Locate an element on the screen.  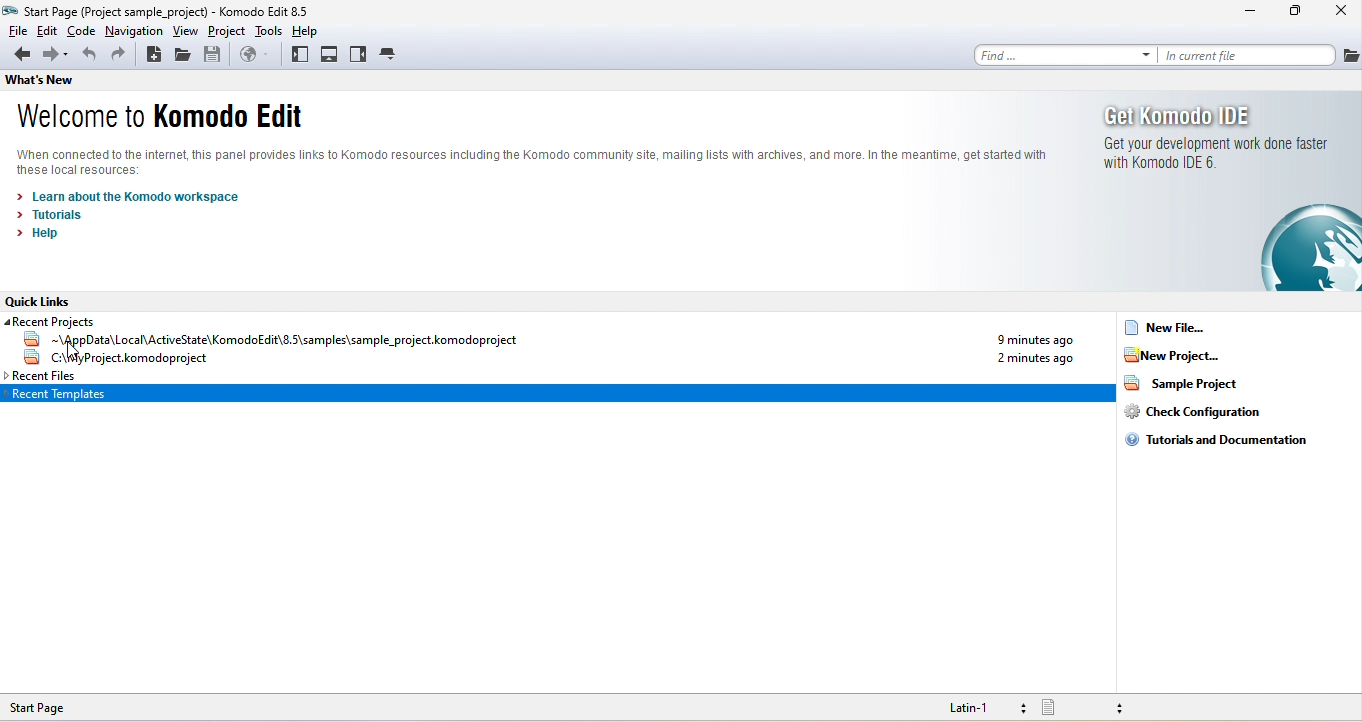
sample project is located at coordinates (1201, 389).